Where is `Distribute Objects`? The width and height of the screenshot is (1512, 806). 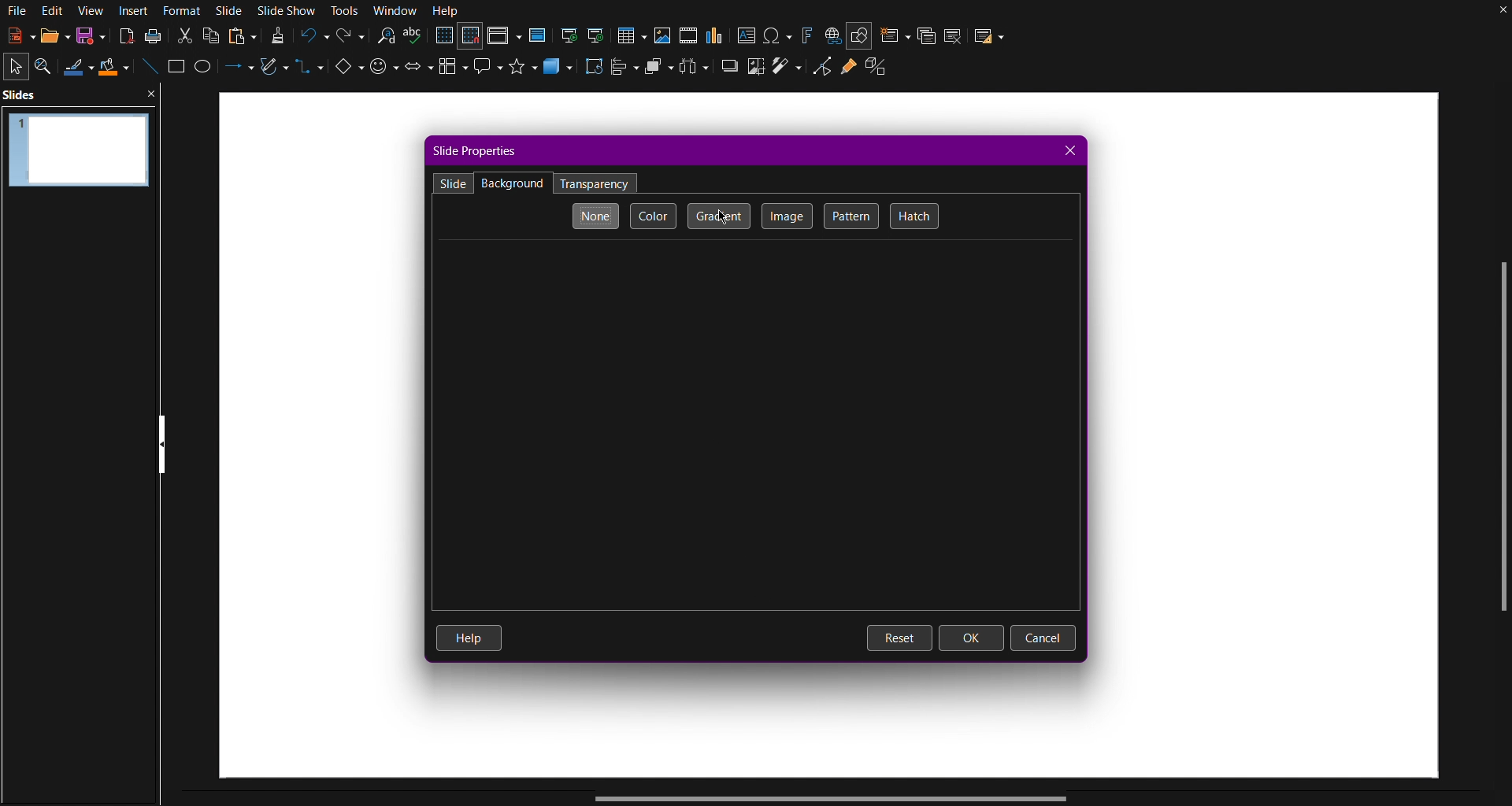
Distribute Objects is located at coordinates (696, 71).